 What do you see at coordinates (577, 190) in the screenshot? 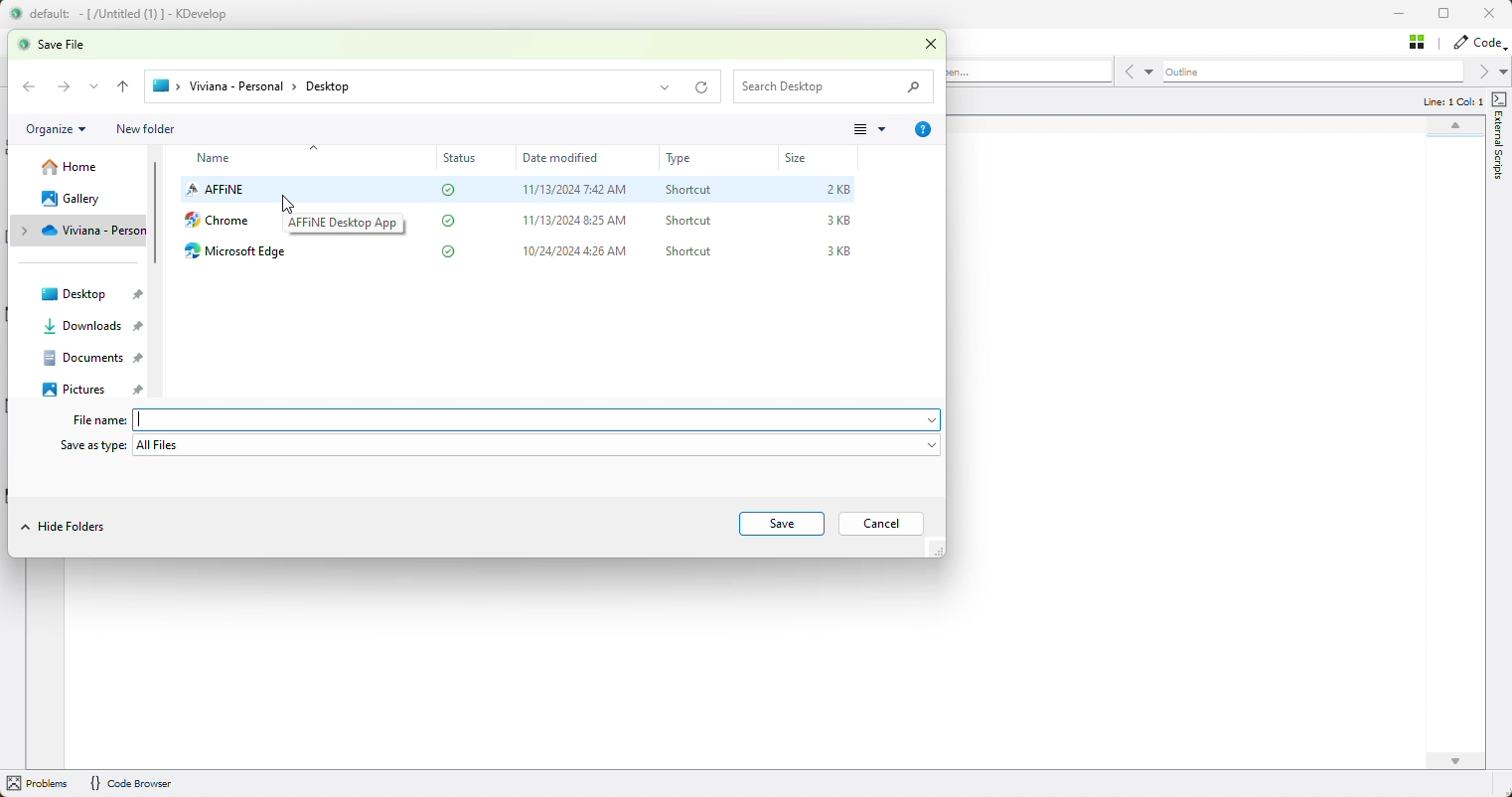
I see `11/13/2024 7:42 AM` at bounding box center [577, 190].